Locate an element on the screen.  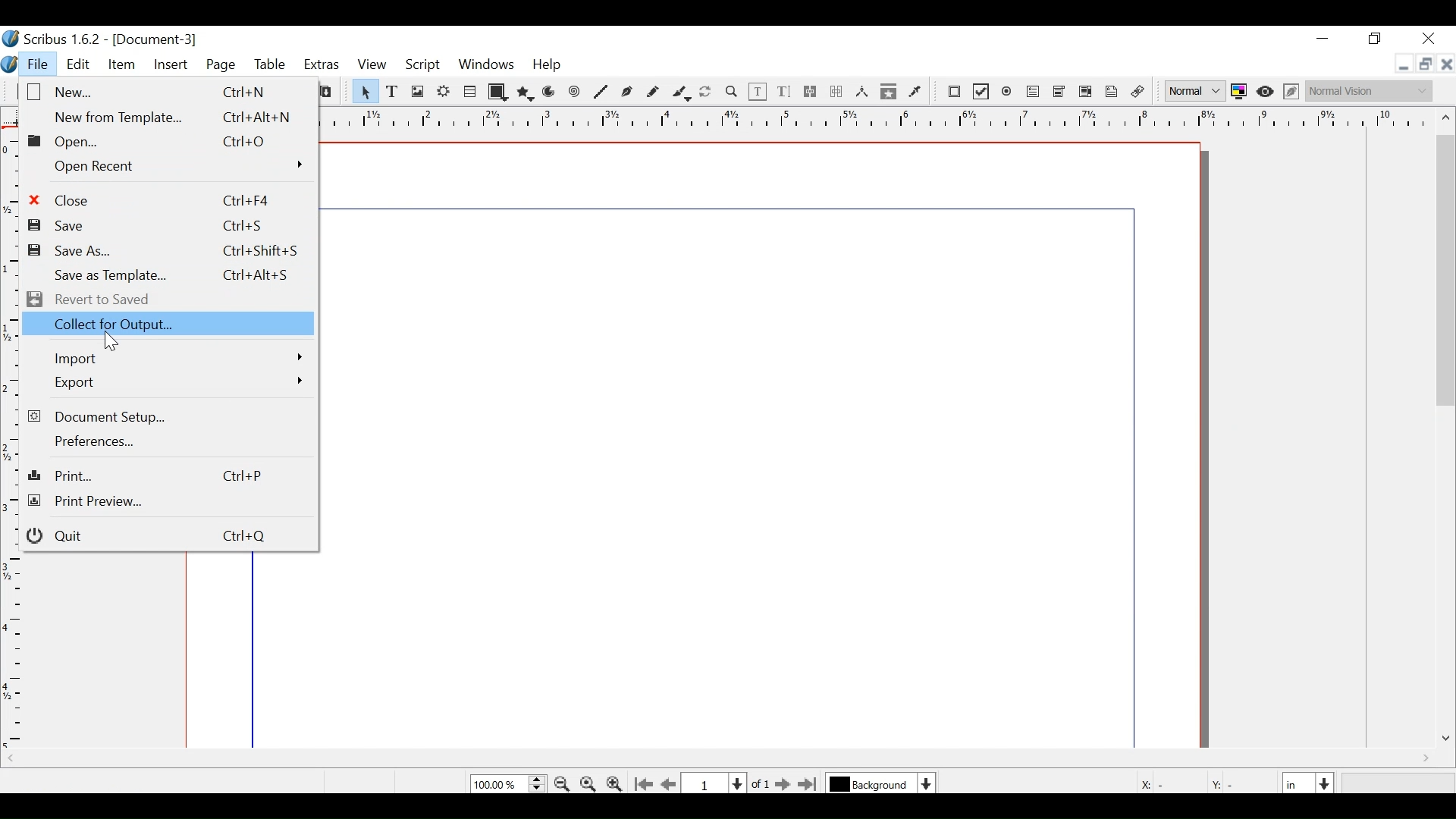
link Text frames is located at coordinates (811, 93).